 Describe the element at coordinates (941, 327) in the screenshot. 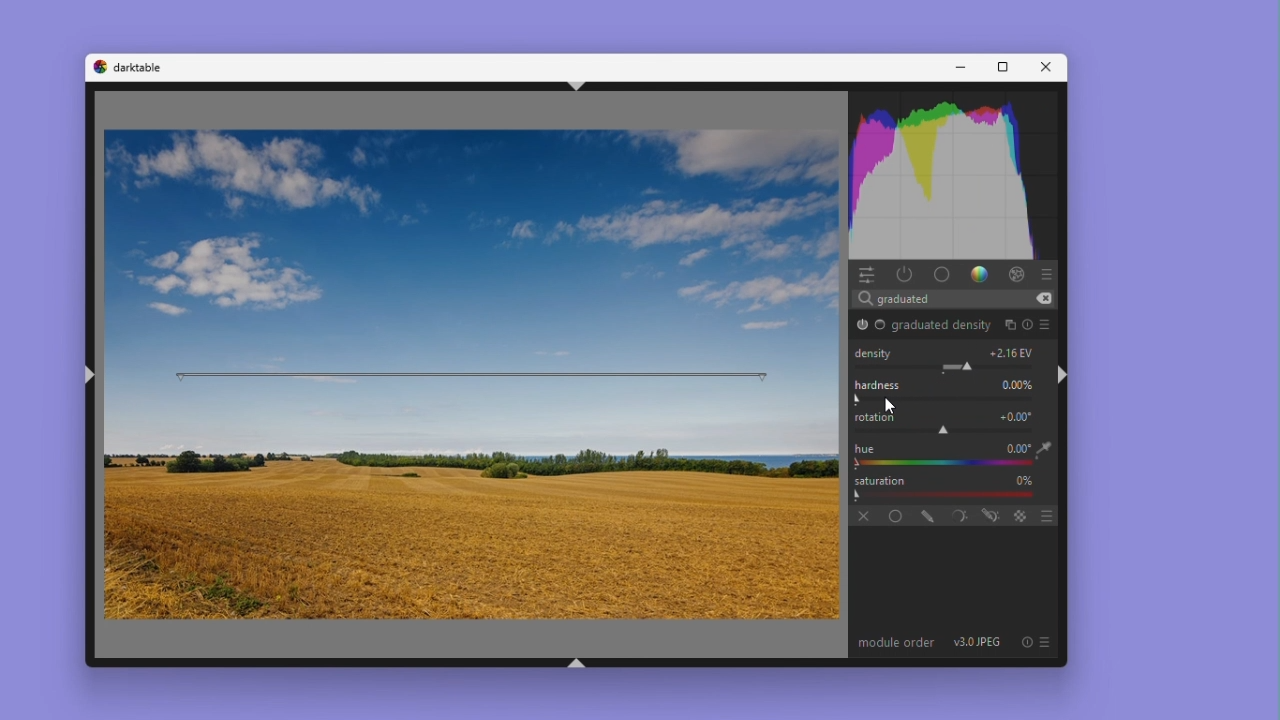

I see `graduated density` at that location.